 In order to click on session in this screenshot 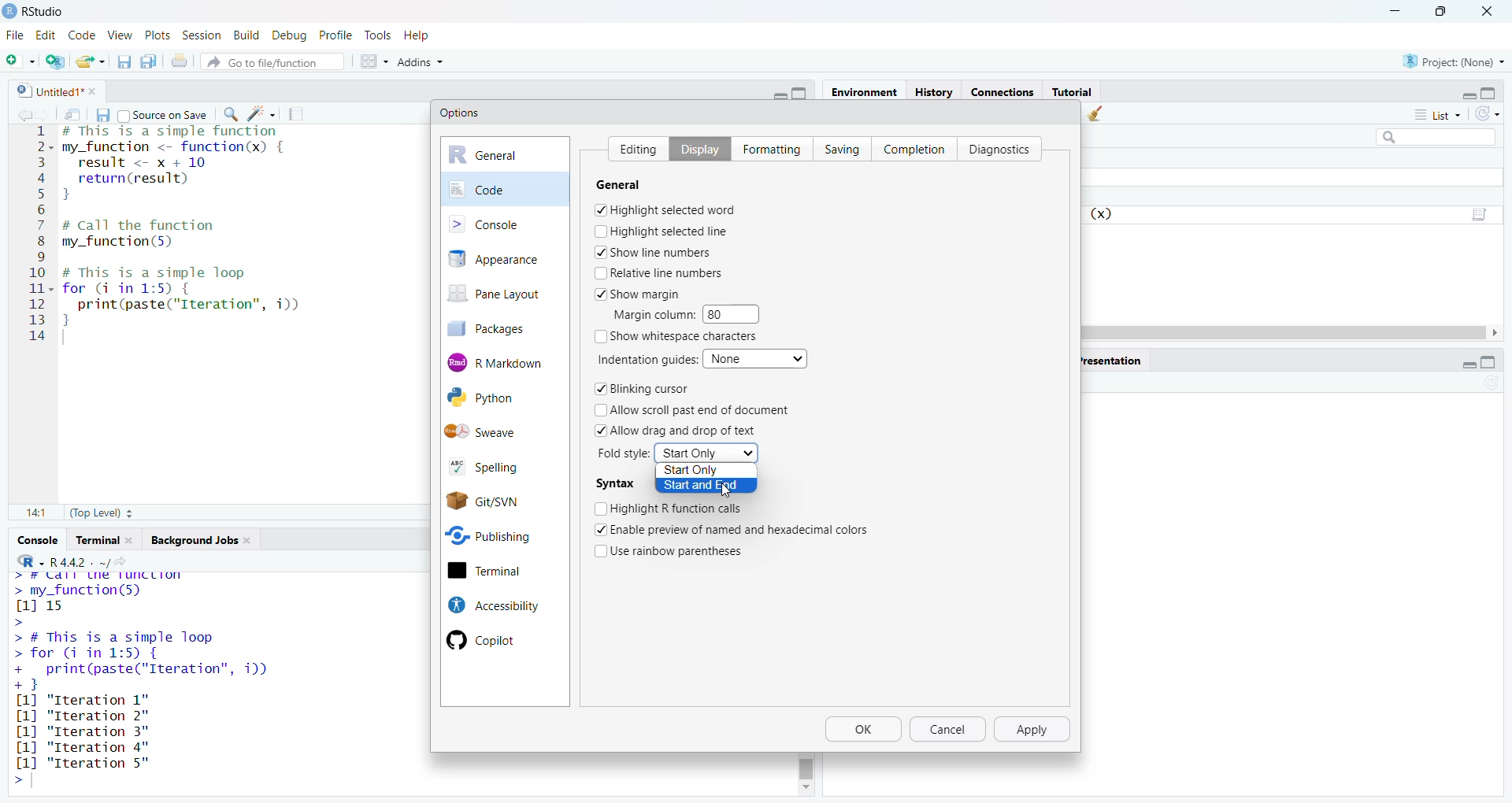, I will do `click(200, 33)`.